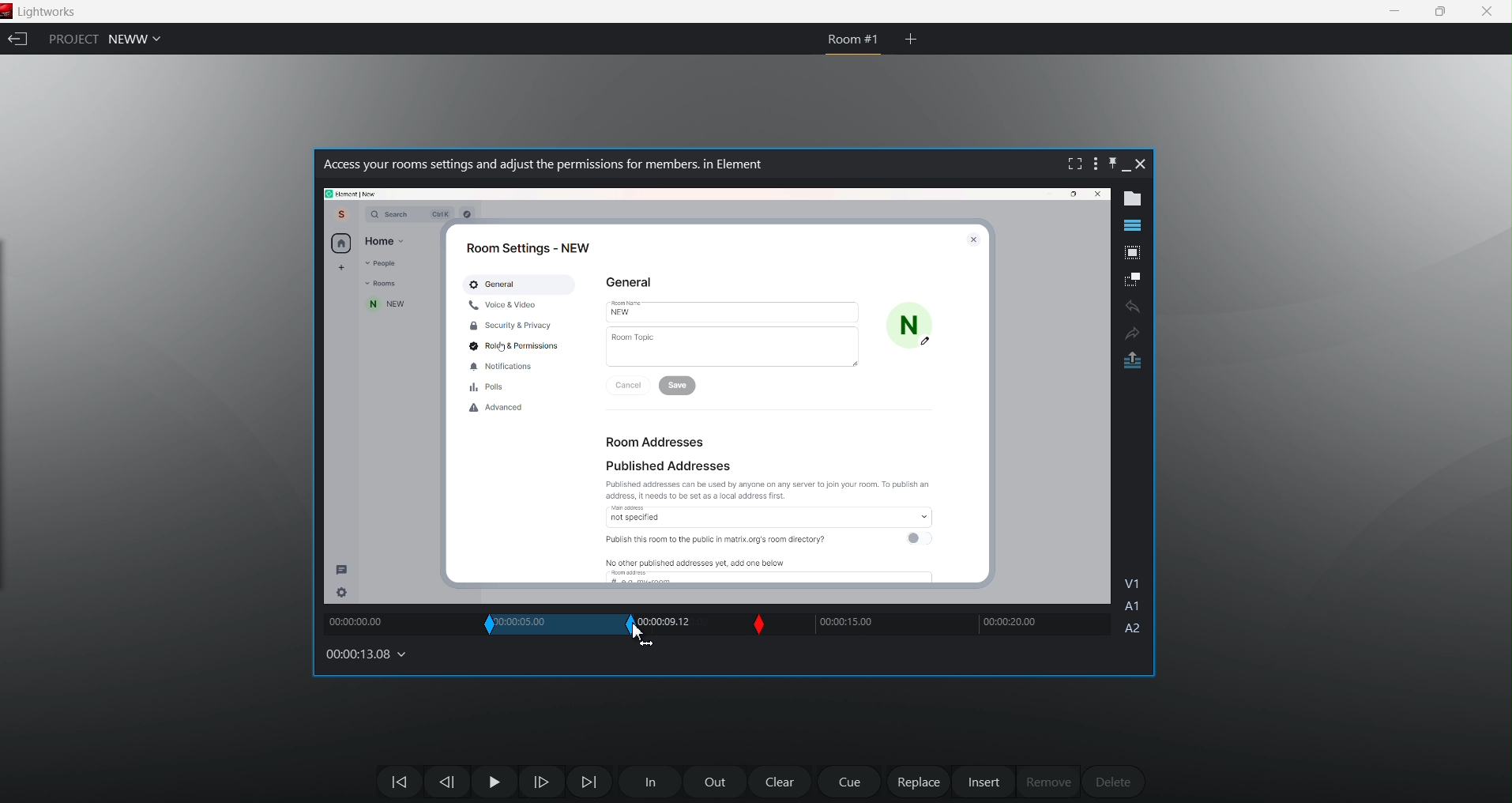 The image size is (1512, 803). Describe the element at coordinates (1130, 225) in the screenshot. I see `show timeline` at that location.